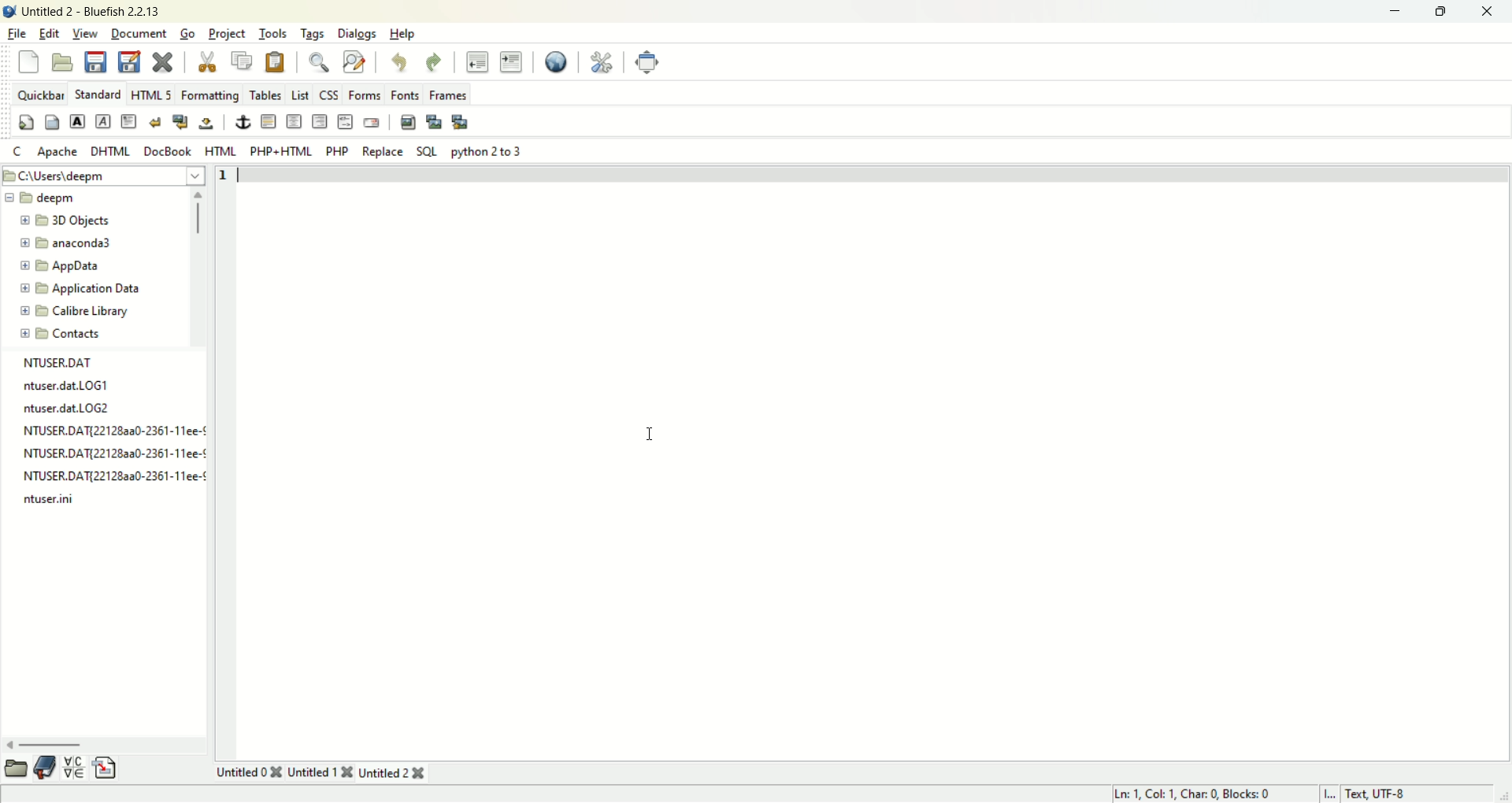  I want to click on redo, so click(435, 61).